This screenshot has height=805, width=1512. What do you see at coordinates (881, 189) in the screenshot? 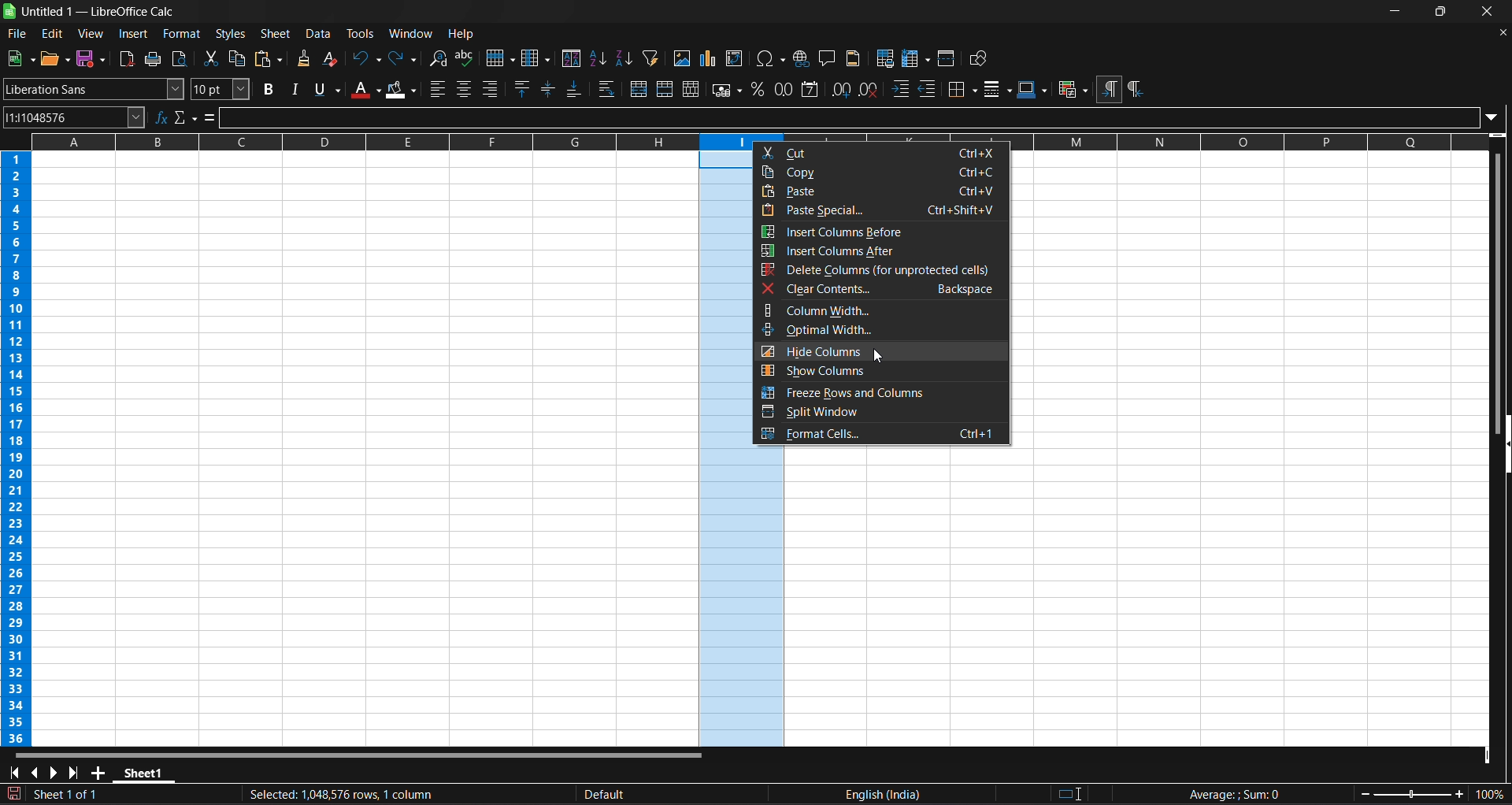
I see `paste` at bounding box center [881, 189].